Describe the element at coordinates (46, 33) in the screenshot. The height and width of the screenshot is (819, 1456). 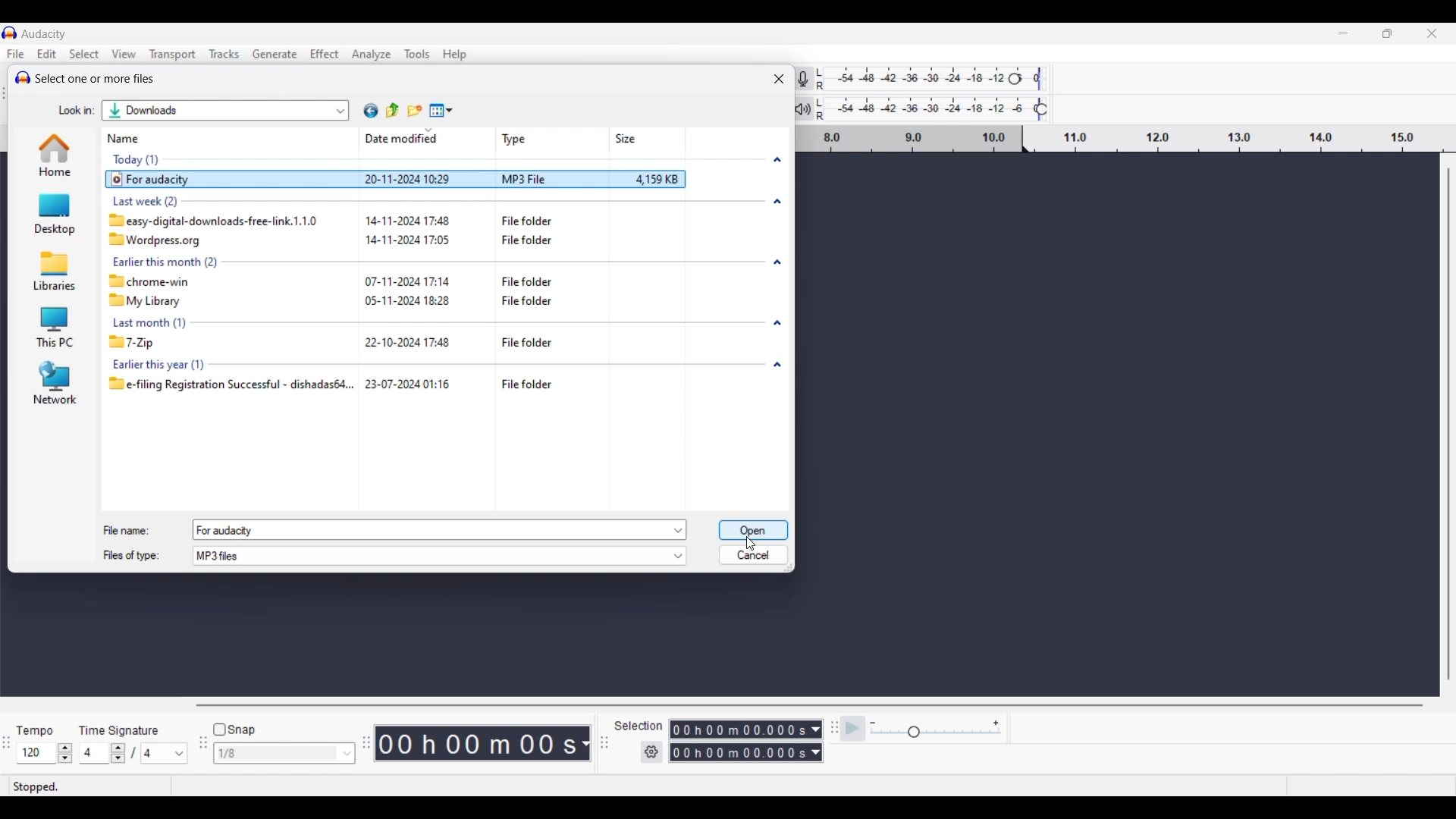
I see `Audacity` at that location.